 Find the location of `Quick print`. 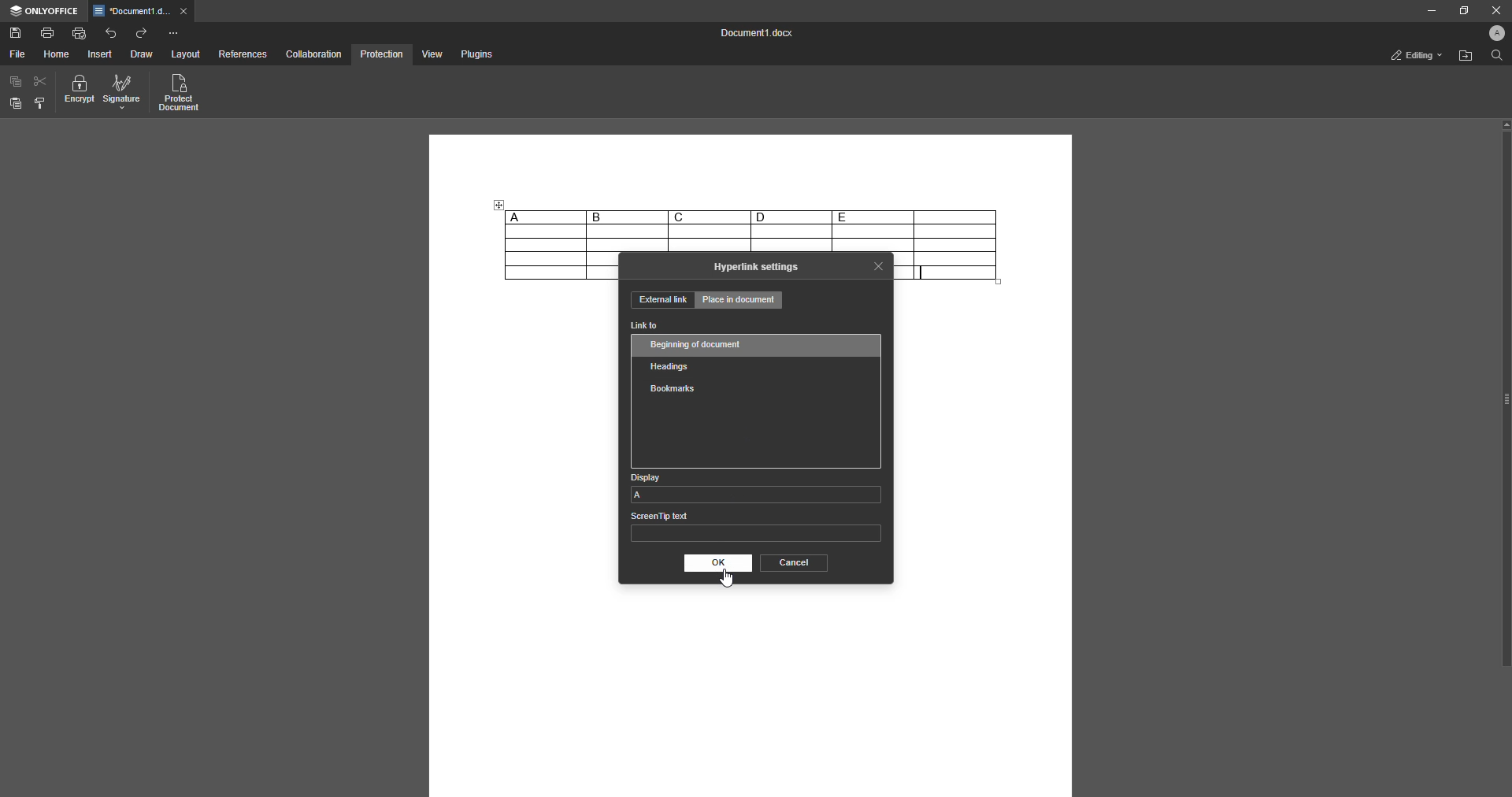

Quick print is located at coordinates (80, 32).